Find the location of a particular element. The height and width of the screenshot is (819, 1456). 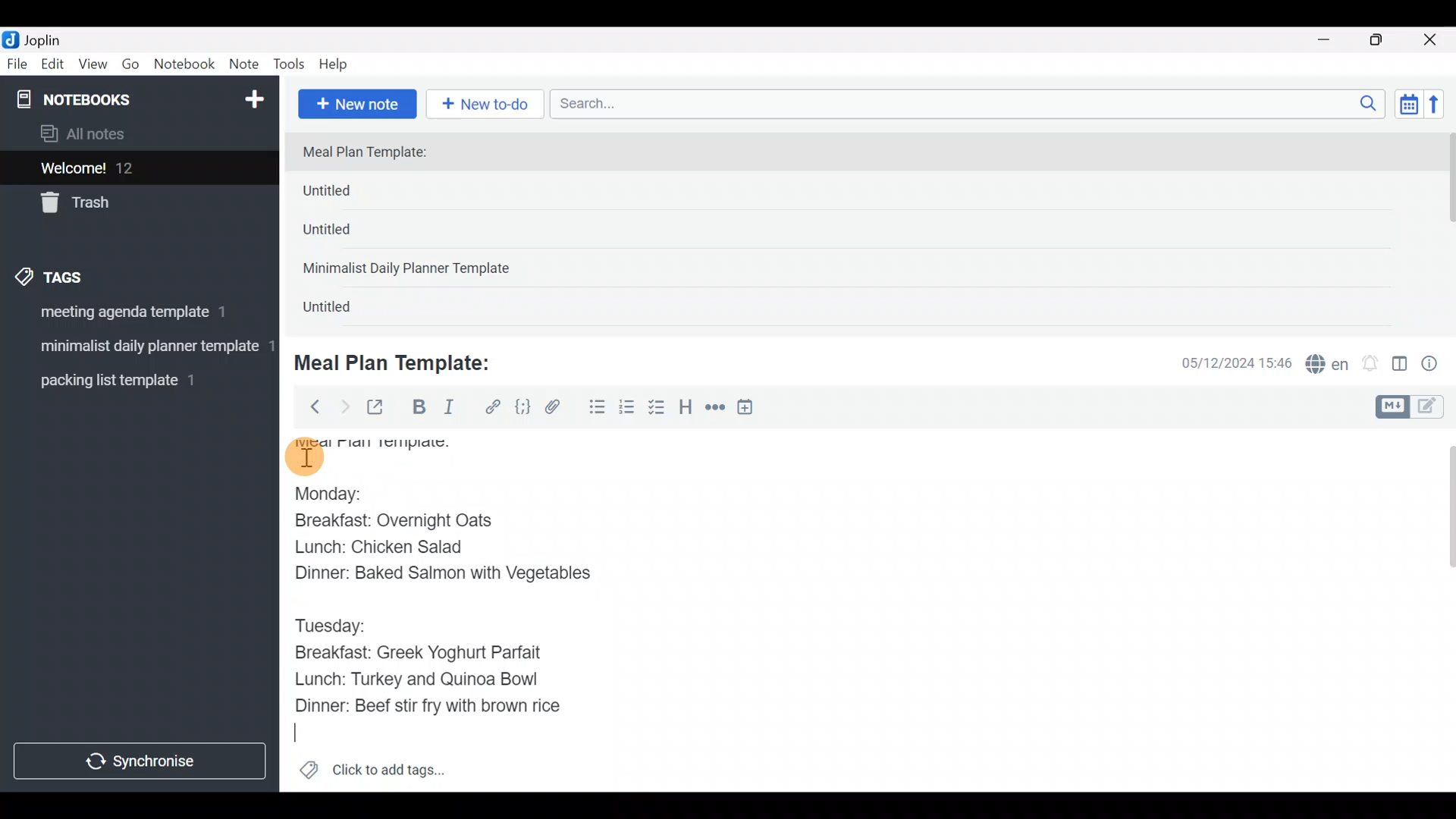

Bold is located at coordinates (418, 409).